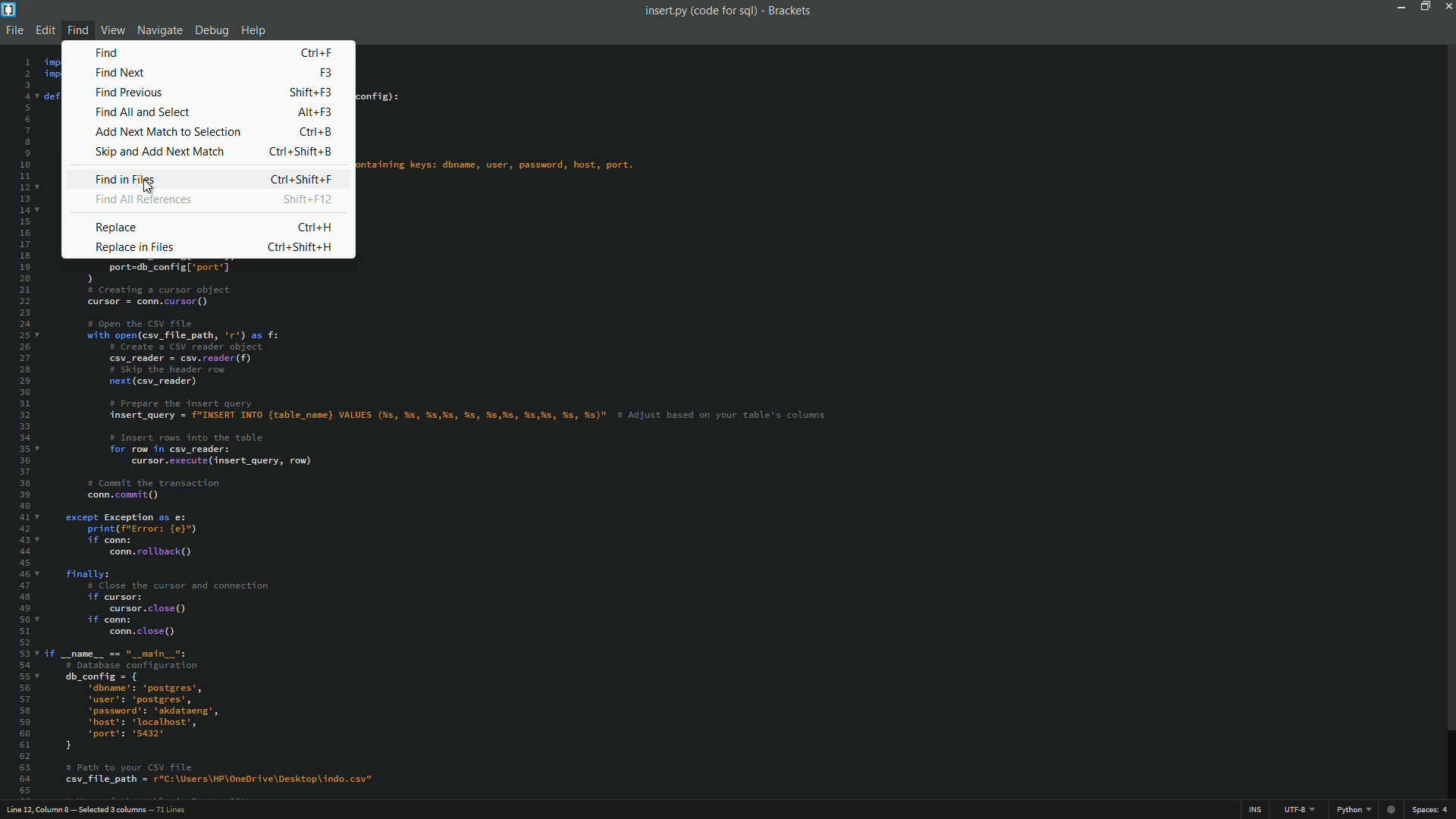 The width and height of the screenshot is (1456, 819). What do you see at coordinates (131, 93) in the screenshot?
I see `find previous` at bounding box center [131, 93].